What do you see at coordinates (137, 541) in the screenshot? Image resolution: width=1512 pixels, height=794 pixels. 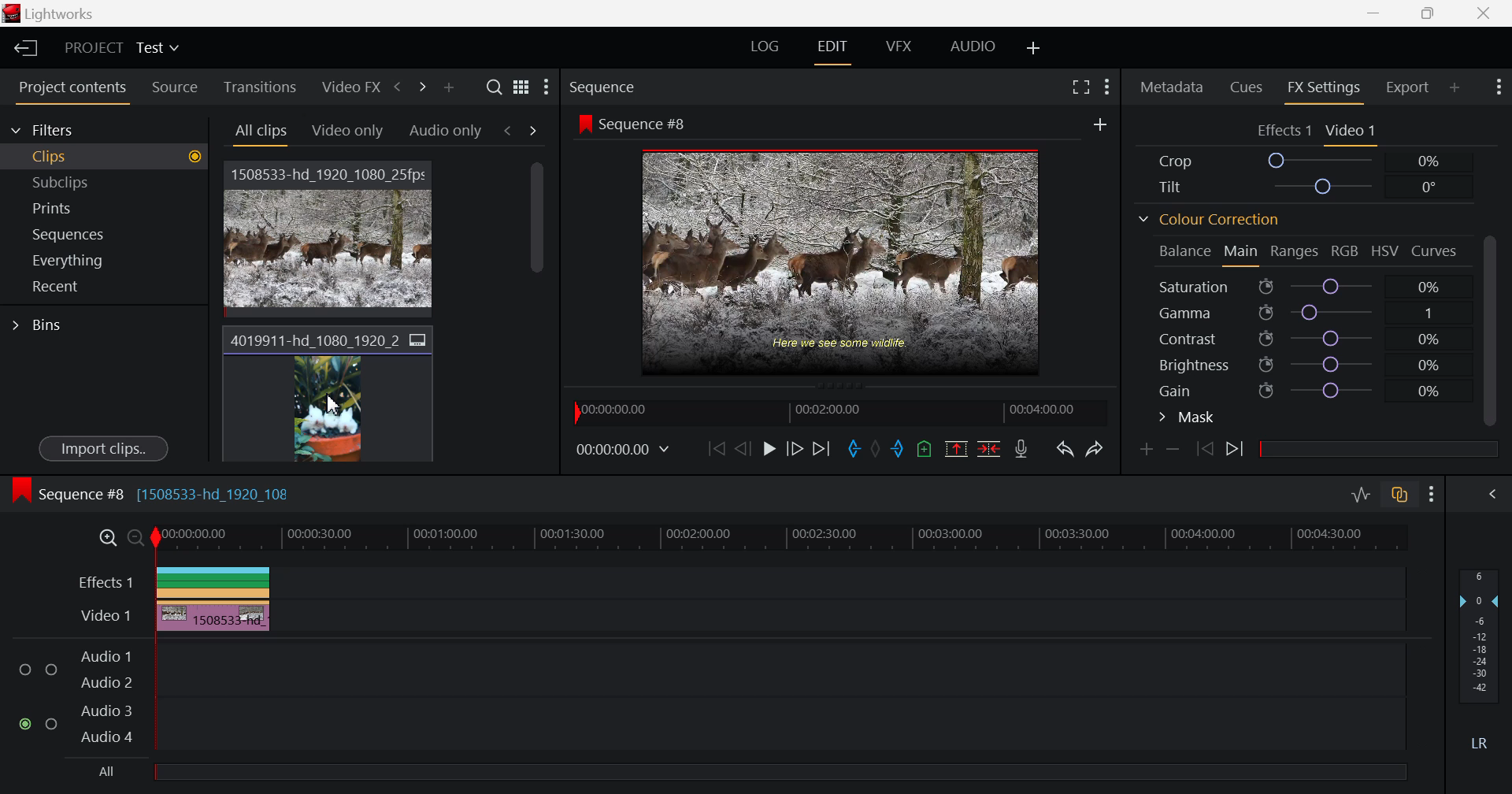 I see `Timeline Zoom Out` at bounding box center [137, 541].